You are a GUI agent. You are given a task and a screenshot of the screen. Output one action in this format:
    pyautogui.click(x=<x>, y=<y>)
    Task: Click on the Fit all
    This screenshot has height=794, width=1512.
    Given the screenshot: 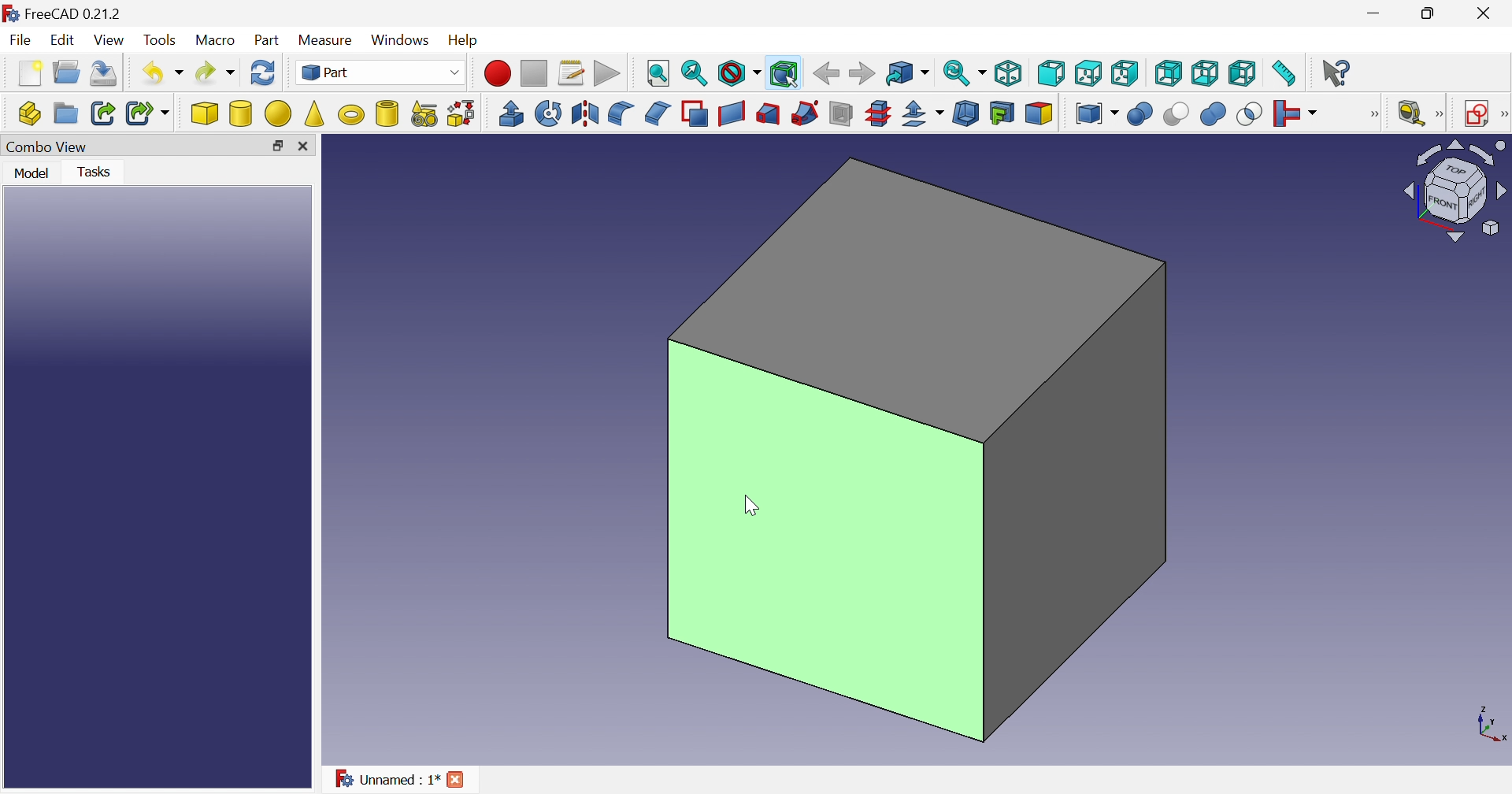 What is the action you would take?
    pyautogui.click(x=656, y=74)
    